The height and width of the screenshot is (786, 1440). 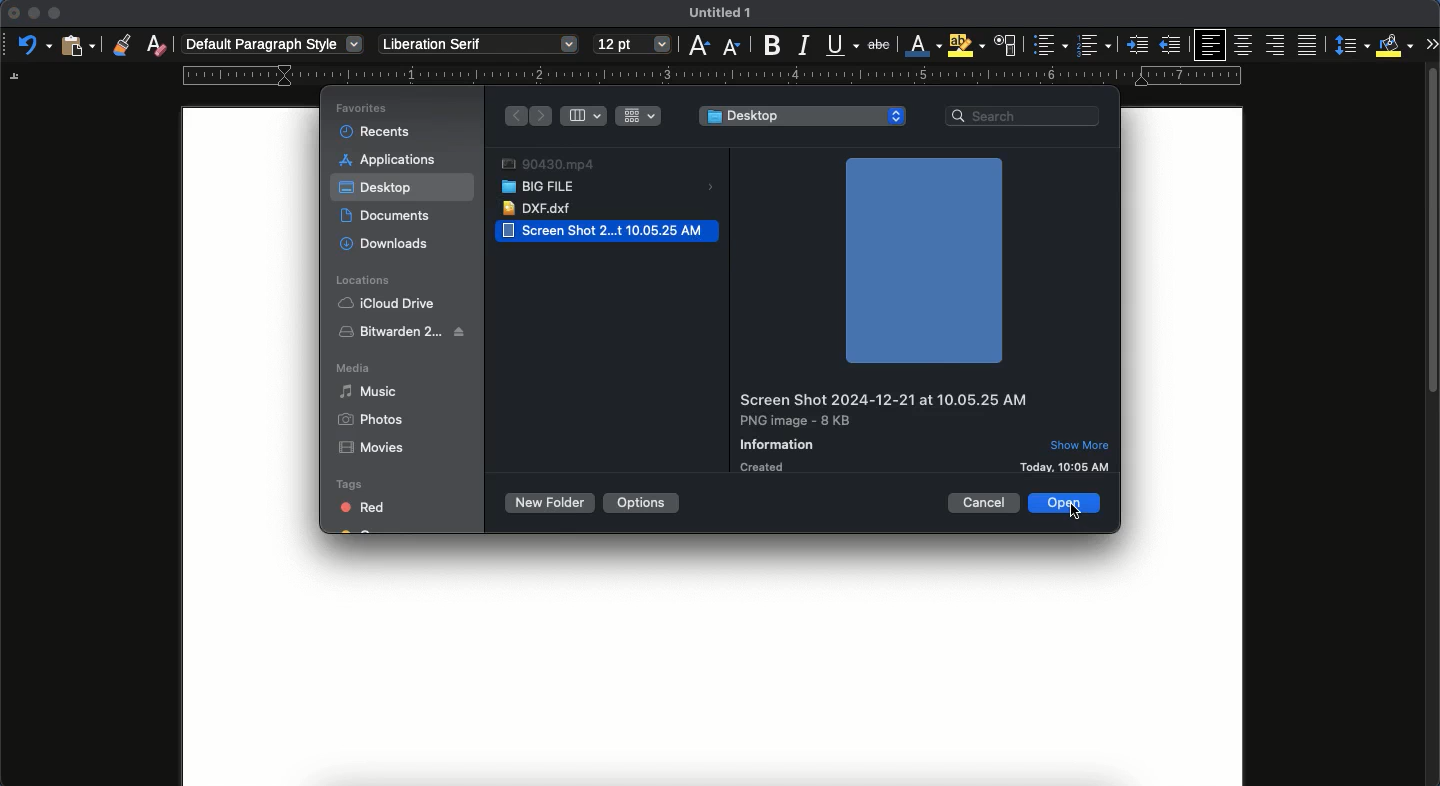 What do you see at coordinates (698, 46) in the screenshot?
I see `increase size` at bounding box center [698, 46].